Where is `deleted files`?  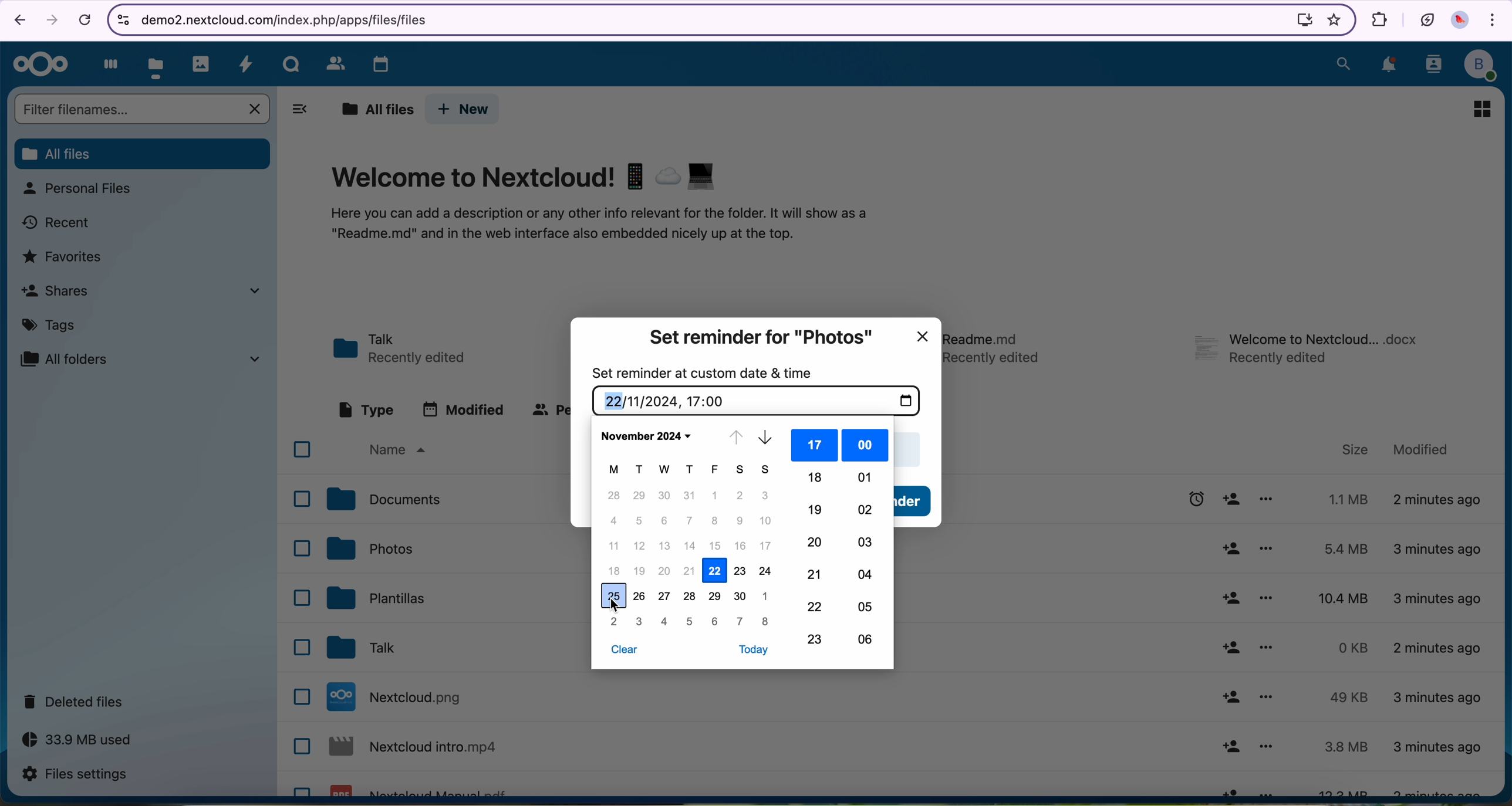
deleted files is located at coordinates (76, 702).